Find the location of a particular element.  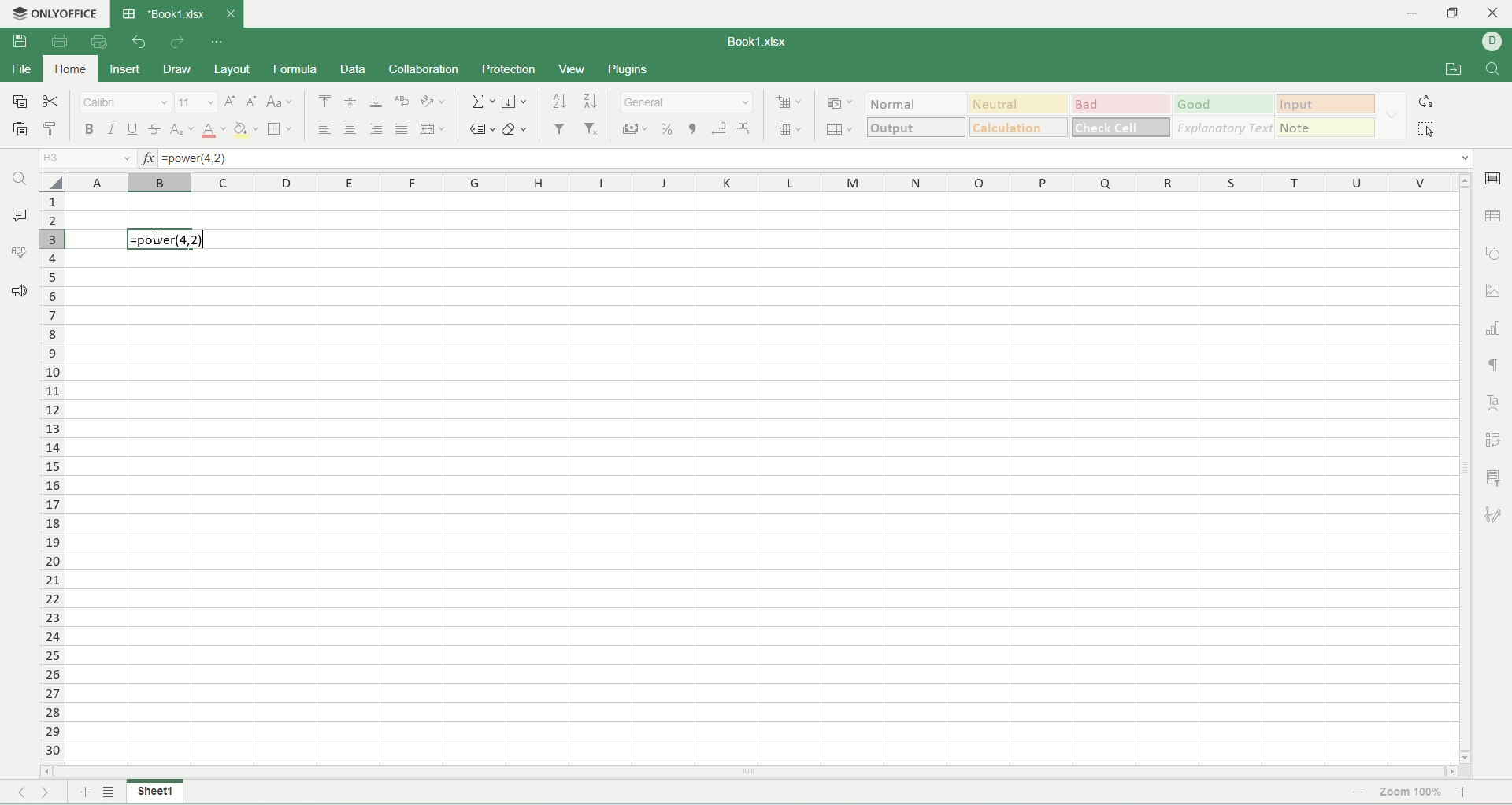

formula is located at coordinates (293, 69).